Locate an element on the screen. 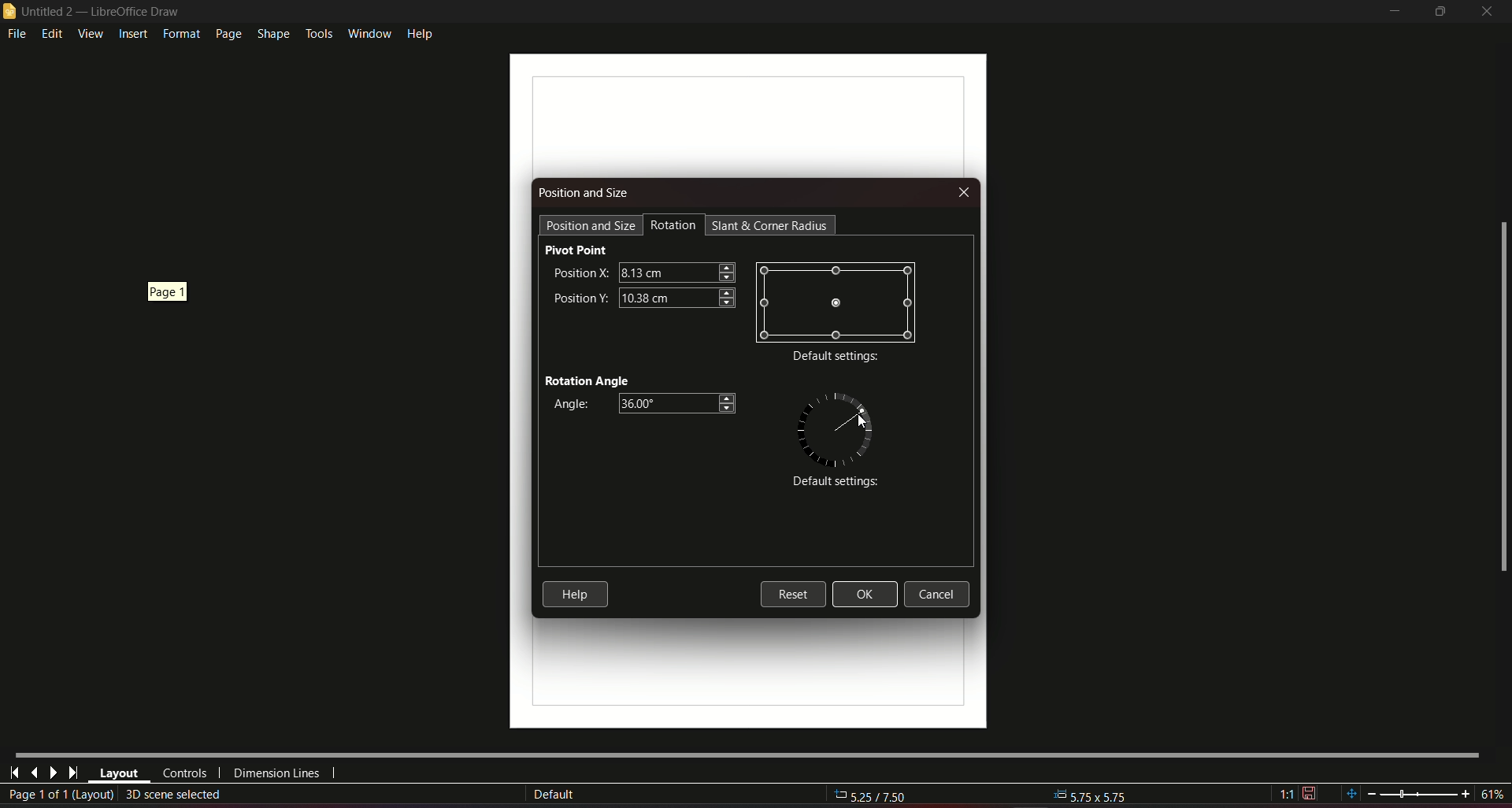  insert is located at coordinates (132, 35).